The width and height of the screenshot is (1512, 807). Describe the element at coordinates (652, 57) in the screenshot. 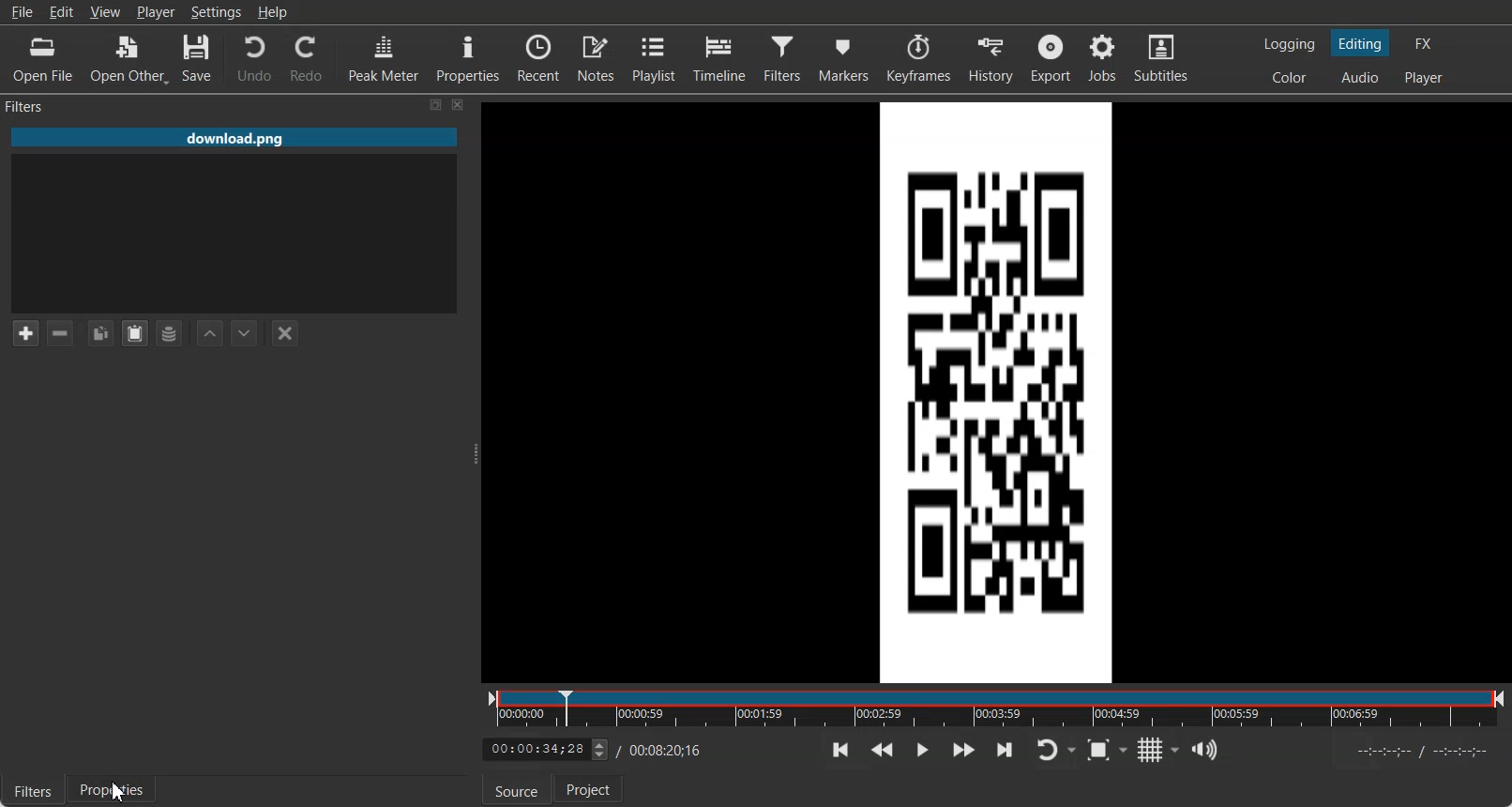

I see `Playlist` at that location.